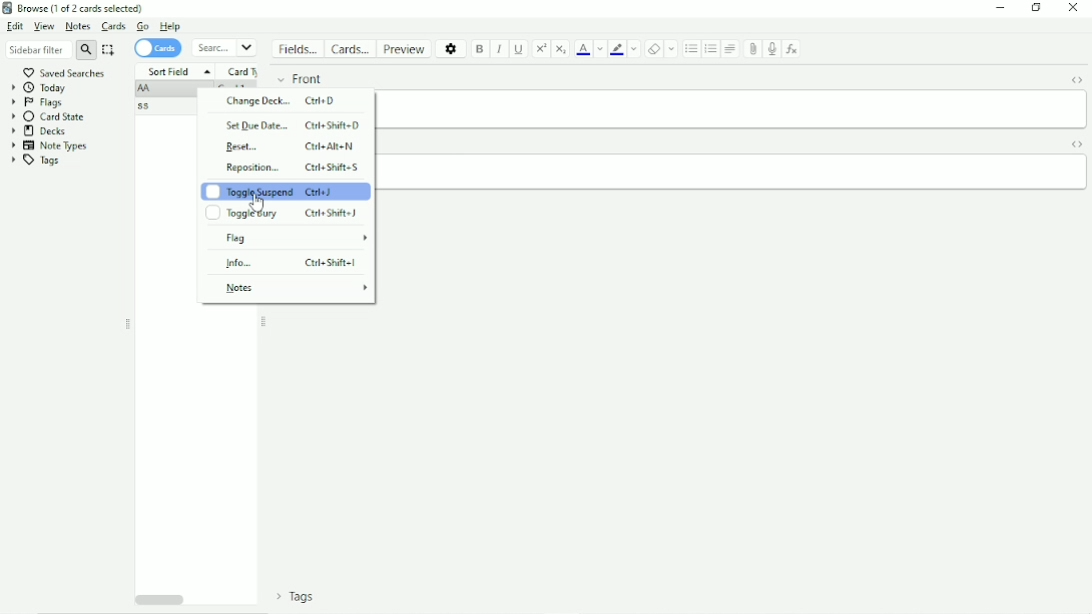  What do you see at coordinates (241, 71) in the screenshot?
I see `Card Type` at bounding box center [241, 71].